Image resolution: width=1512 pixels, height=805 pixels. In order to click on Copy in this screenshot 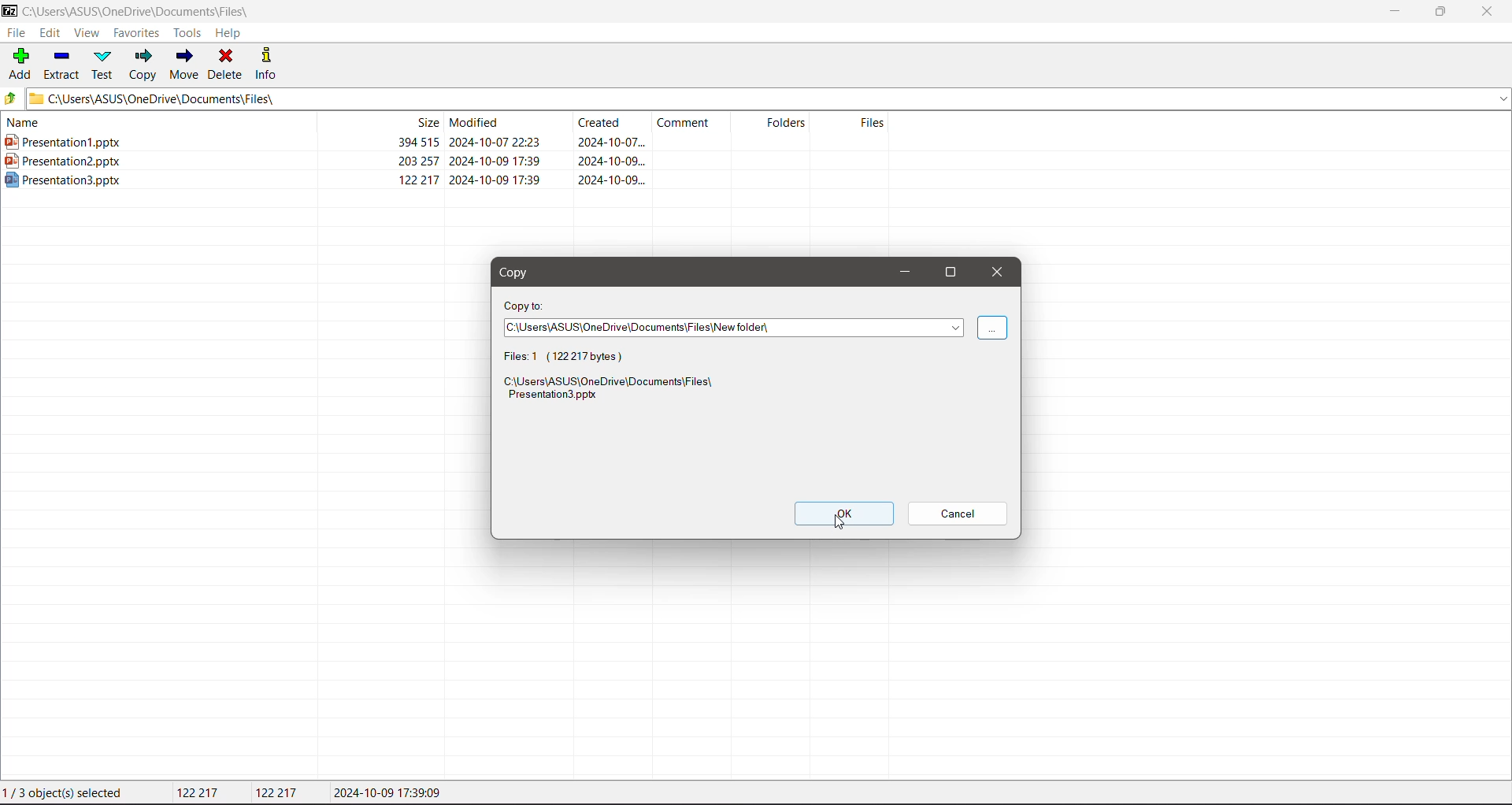, I will do `click(143, 66)`.